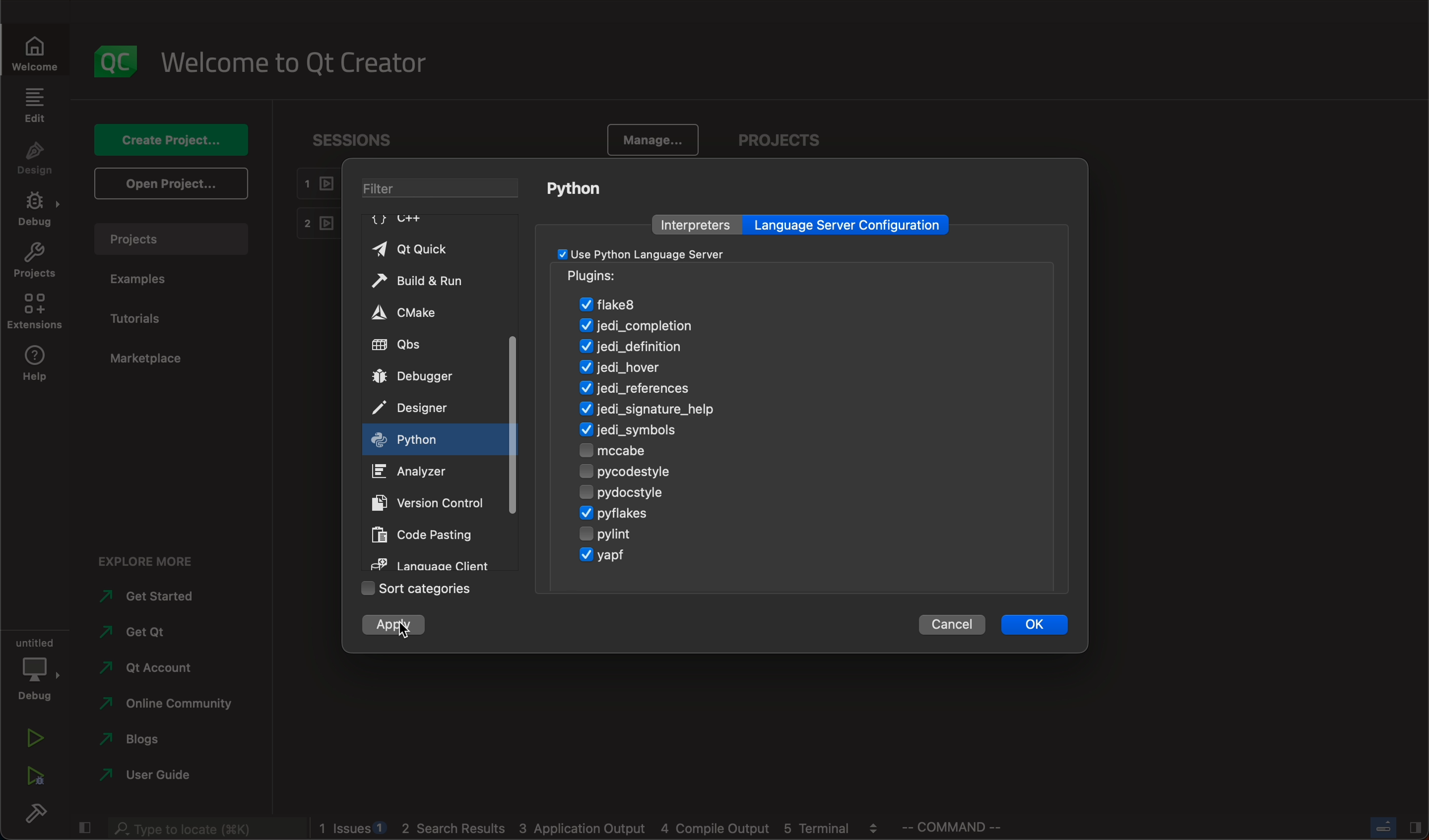 The image size is (1429, 840). I want to click on blogs, so click(141, 738).